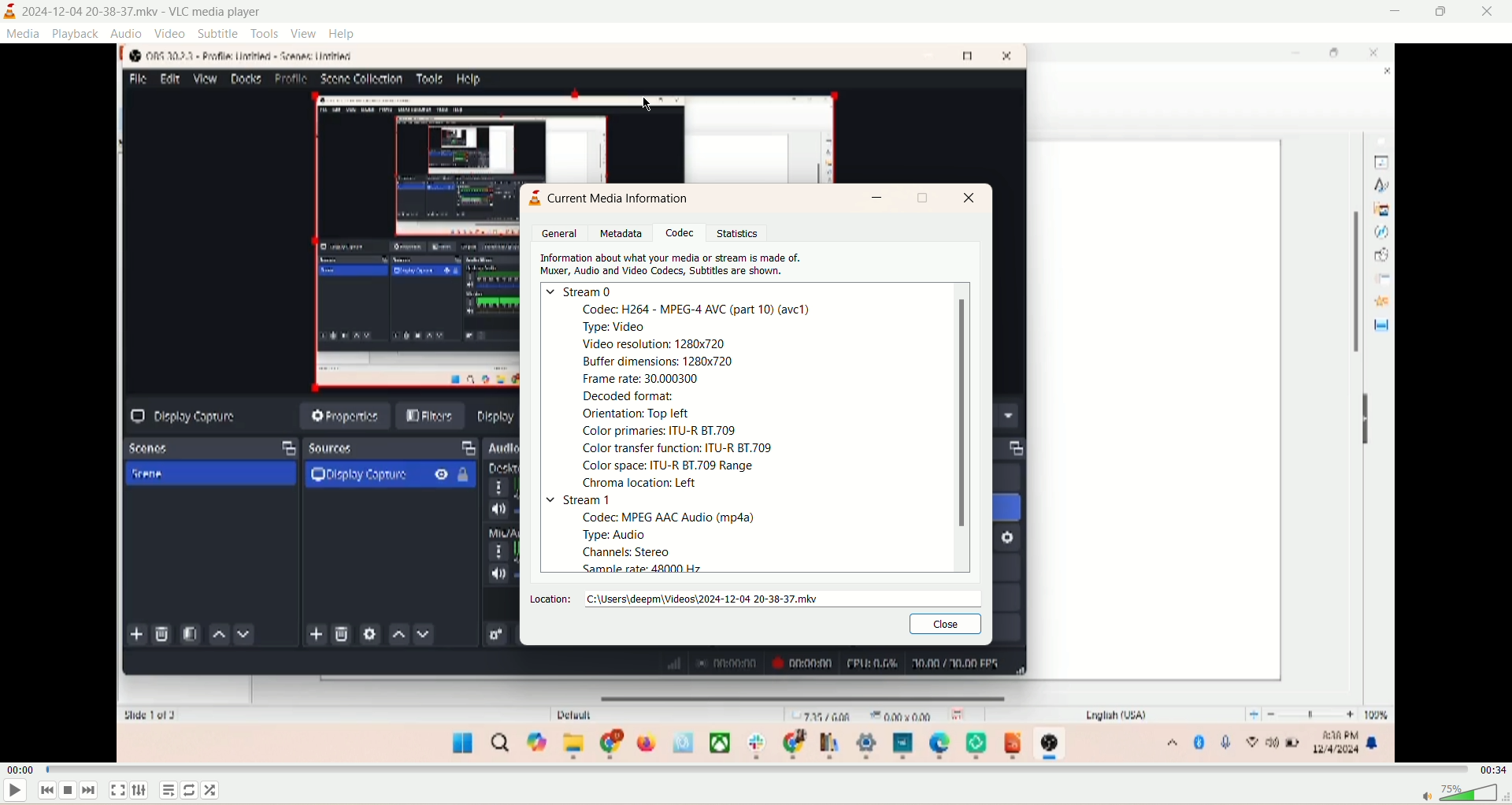 Image resolution: width=1512 pixels, height=805 pixels. I want to click on stop, so click(72, 792).